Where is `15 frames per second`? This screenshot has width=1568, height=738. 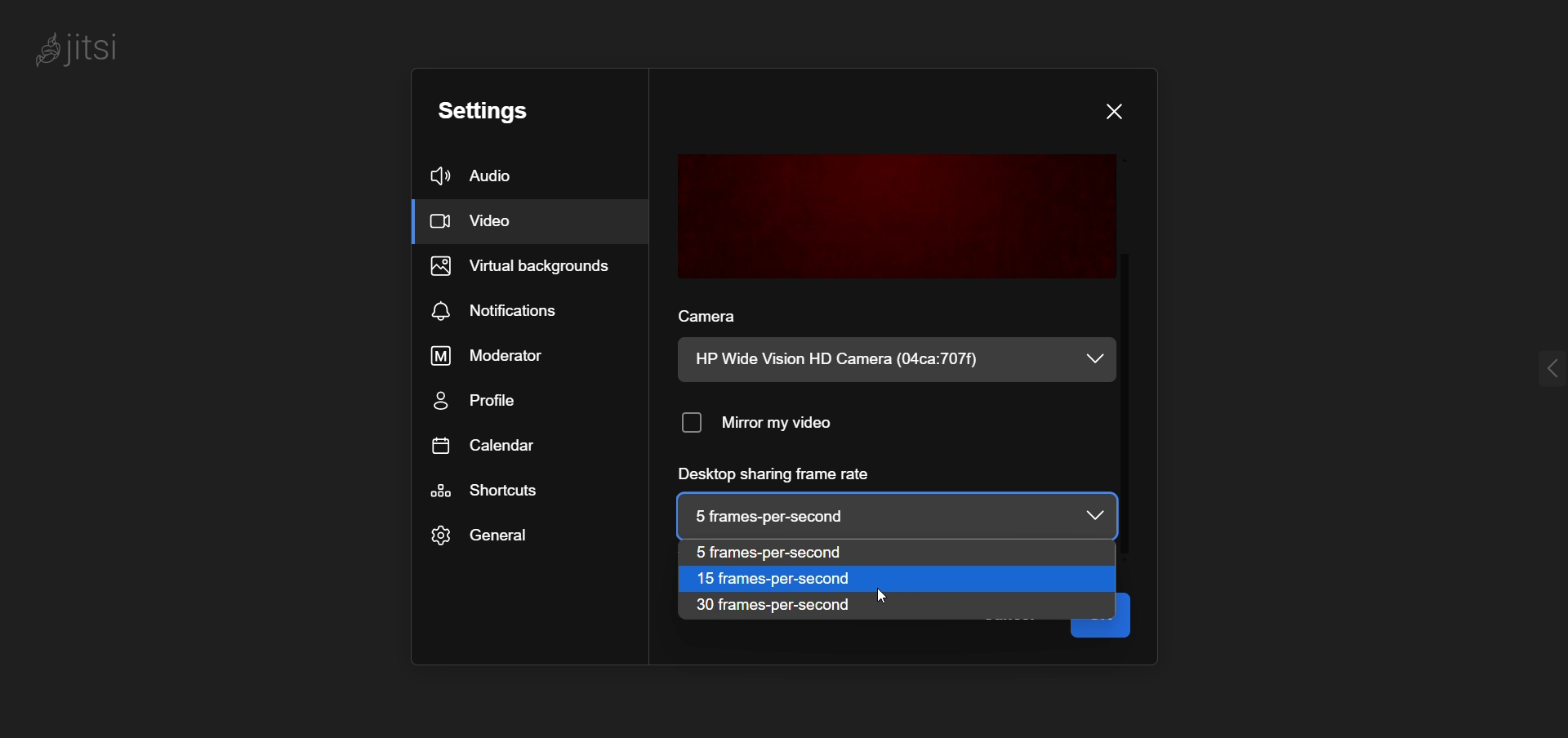 15 frames per second is located at coordinates (792, 577).